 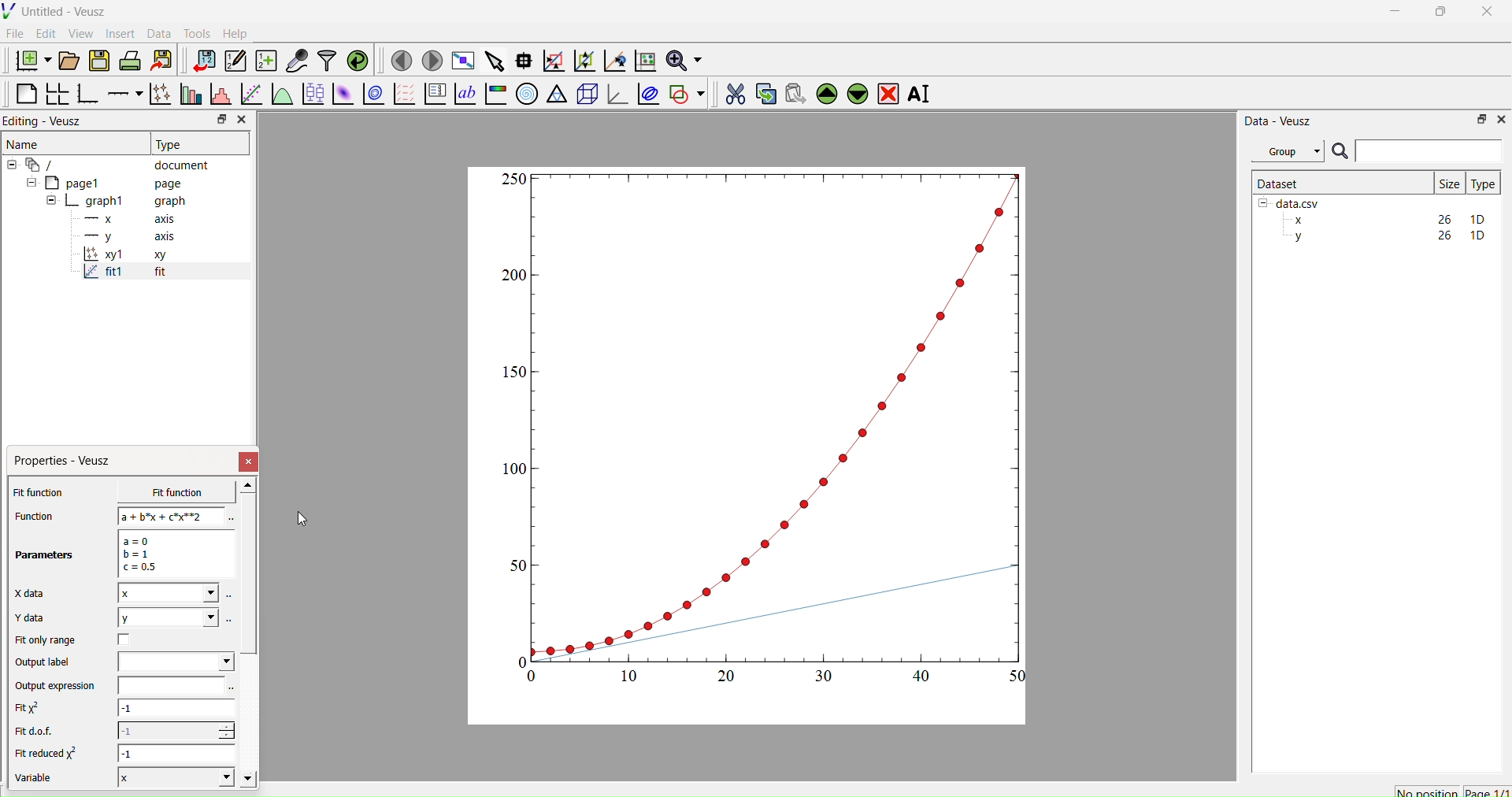 I want to click on Insert, so click(x=123, y=33).